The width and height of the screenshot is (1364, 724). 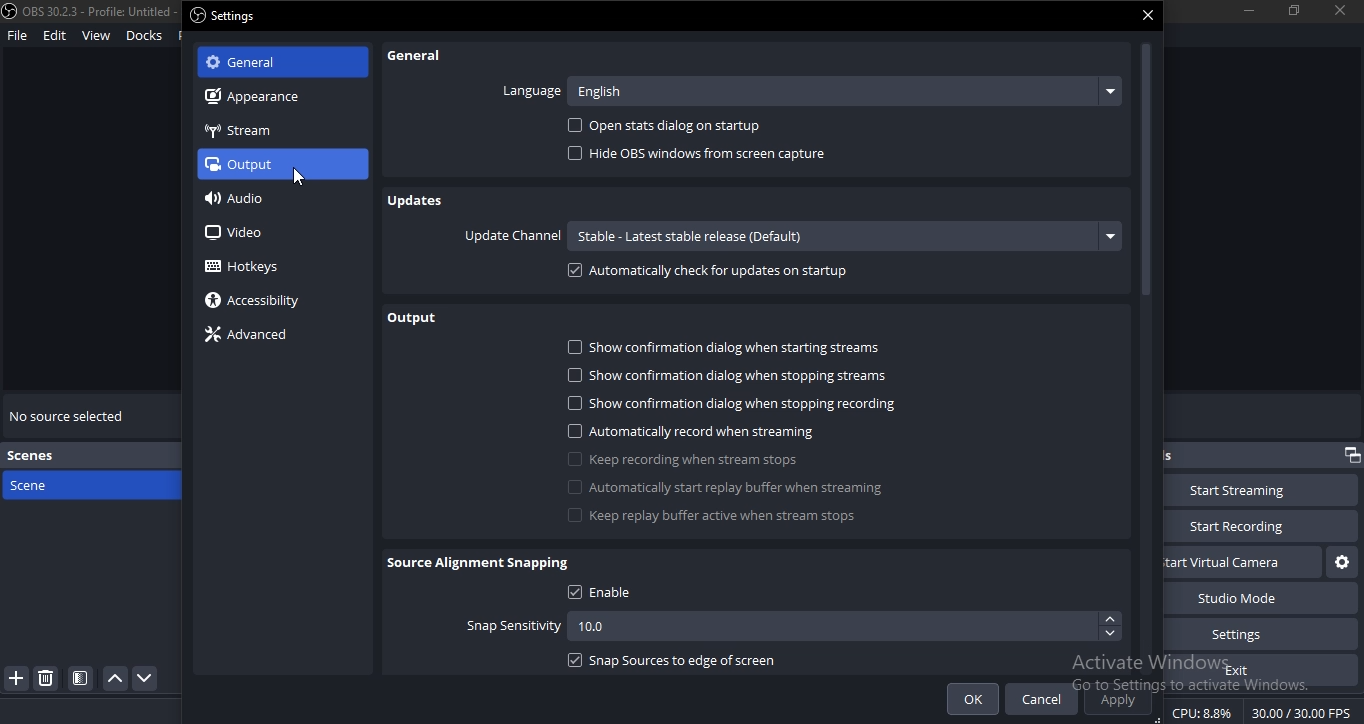 I want to click on snap sources to edge of screen , so click(x=691, y=660).